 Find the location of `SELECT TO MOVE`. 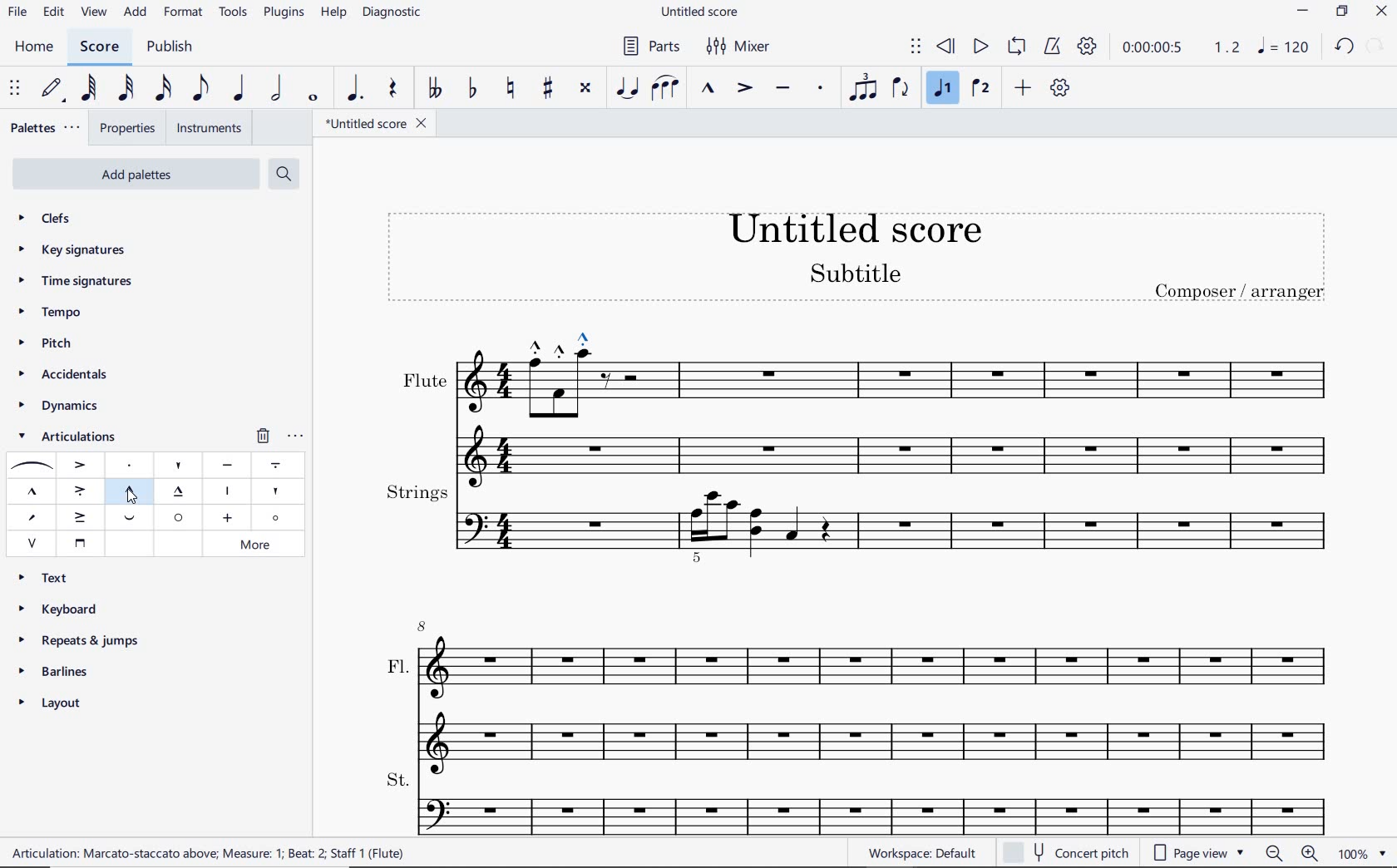

SELECT TO MOVE is located at coordinates (916, 47).